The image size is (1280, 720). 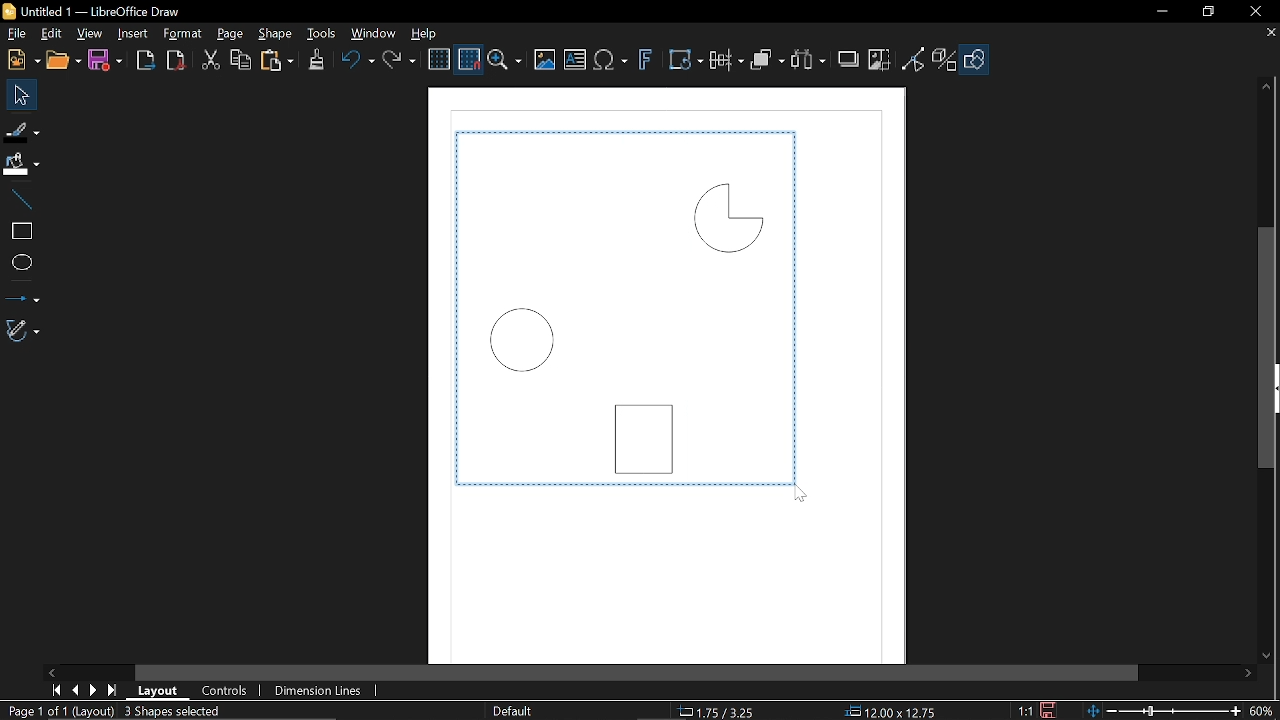 What do you see at coordinates (470, 59) in the screenshot?
I see `Snap to grid` at bounding box center [470, 59].